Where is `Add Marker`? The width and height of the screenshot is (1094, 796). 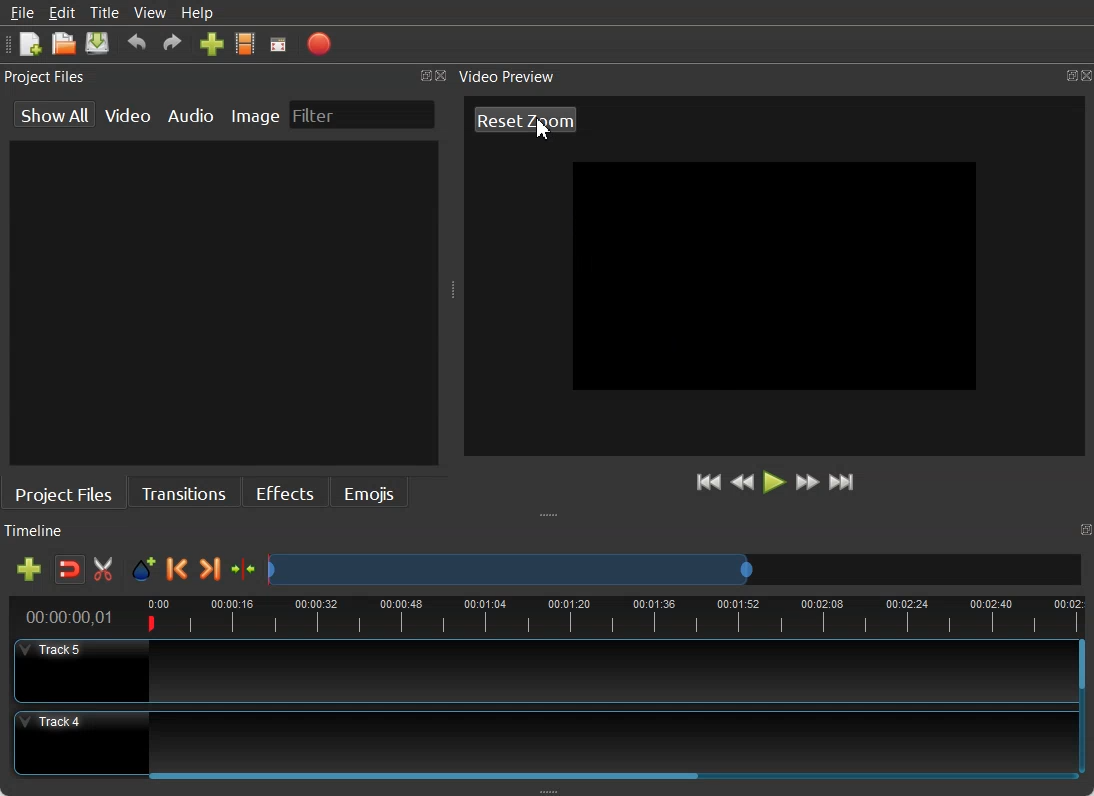 Add Marker is located at coordinates (144, 568).